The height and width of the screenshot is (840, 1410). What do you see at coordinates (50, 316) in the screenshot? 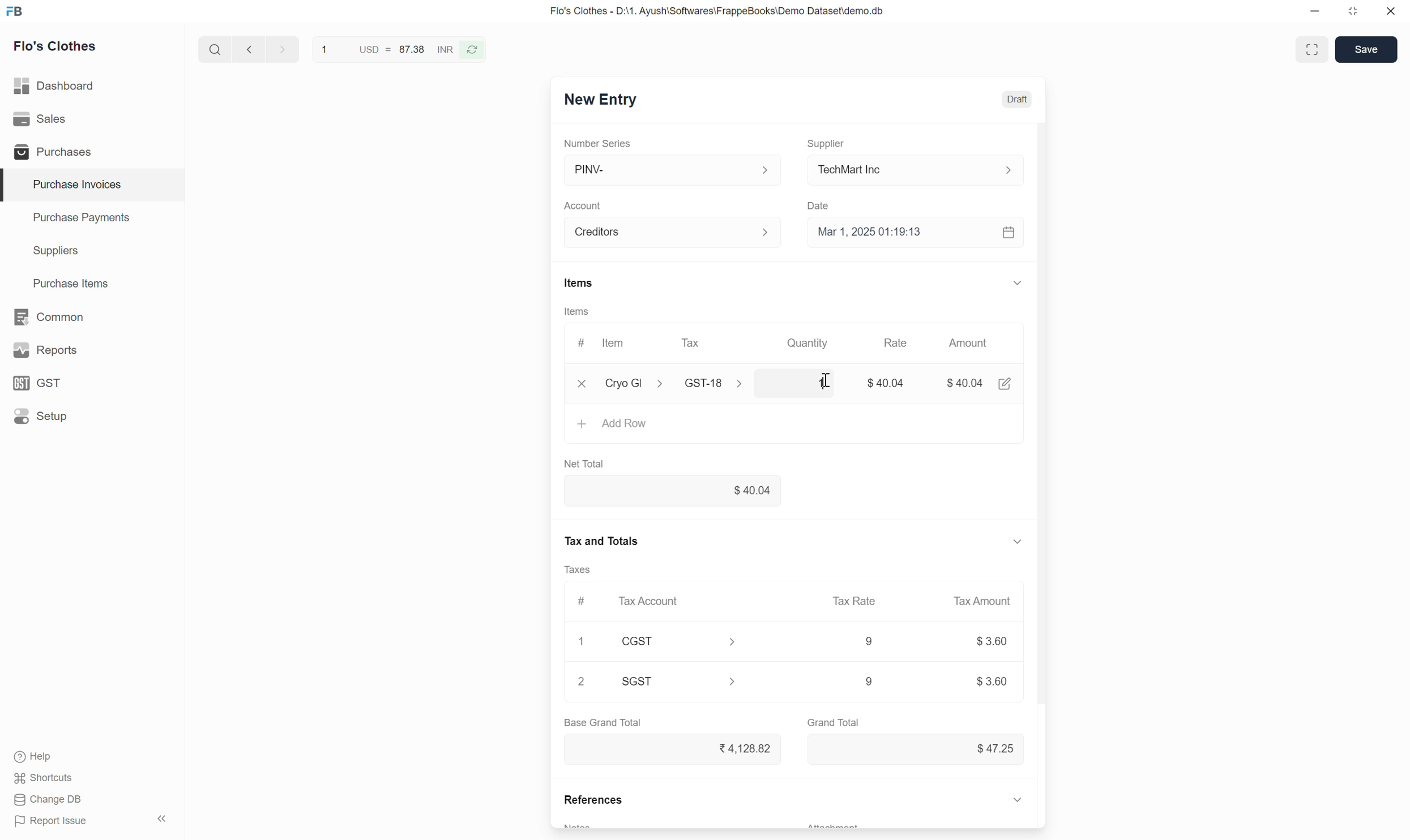
I see `Common` at bounding box center [50, 316].